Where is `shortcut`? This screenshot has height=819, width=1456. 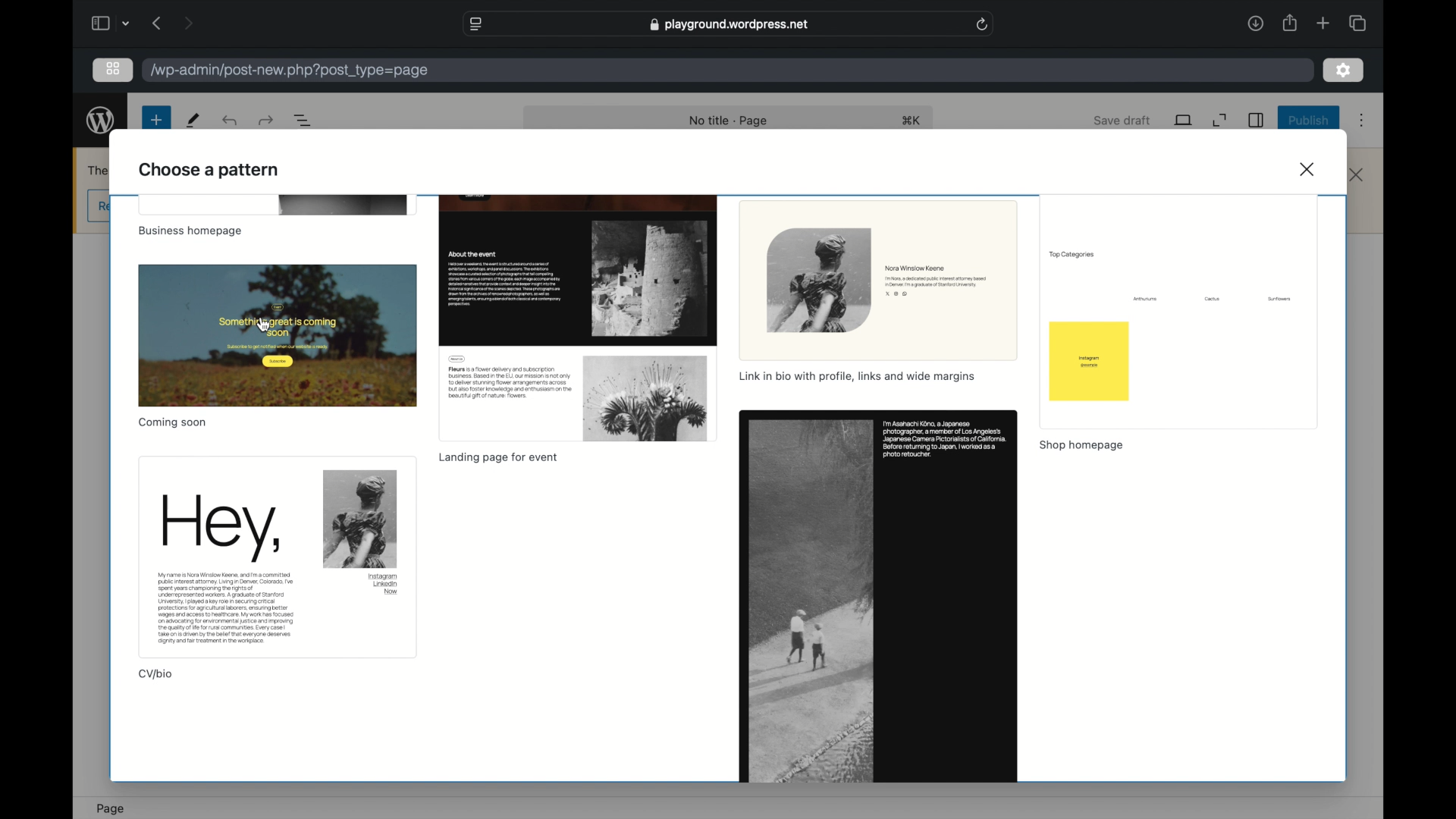 shortcut is located at coordinates (912, 120).